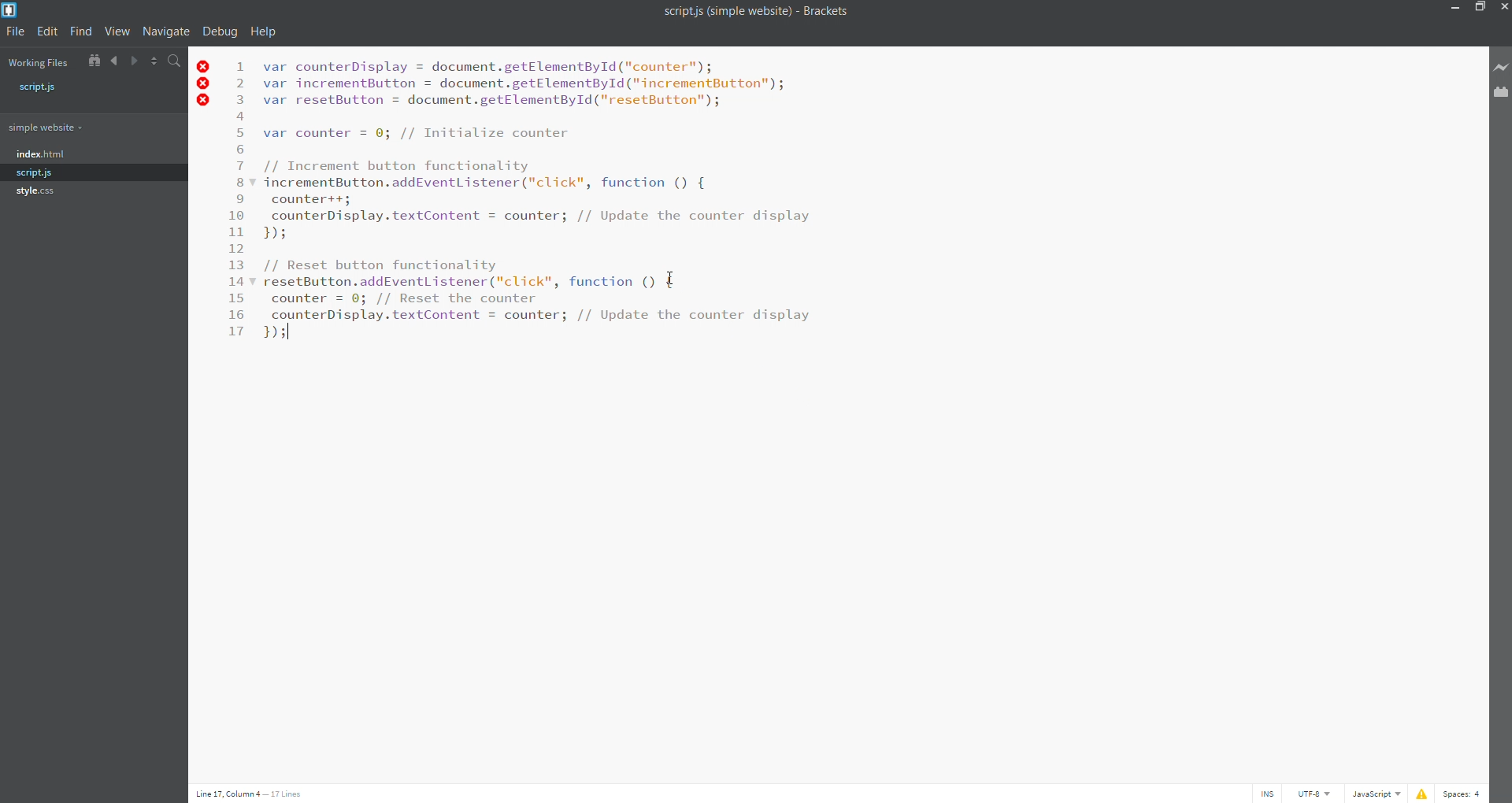 Image resolution: width=1512 pixels, height=803 pixels. I want to click on split editor horizontally/vertically, so click(151, 60).